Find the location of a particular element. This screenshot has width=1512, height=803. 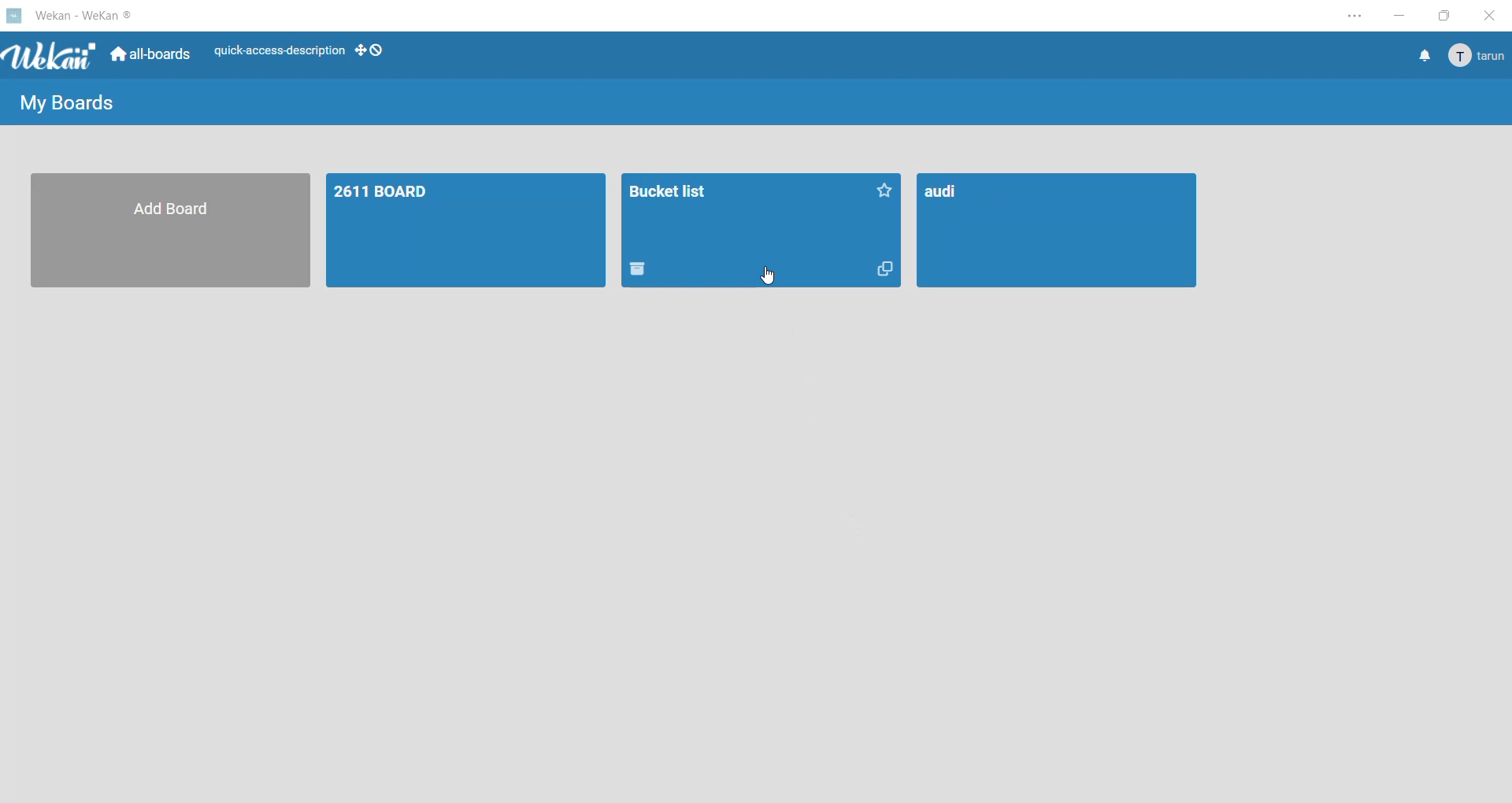

app logo Wekan is located at coordinates (49, 56).